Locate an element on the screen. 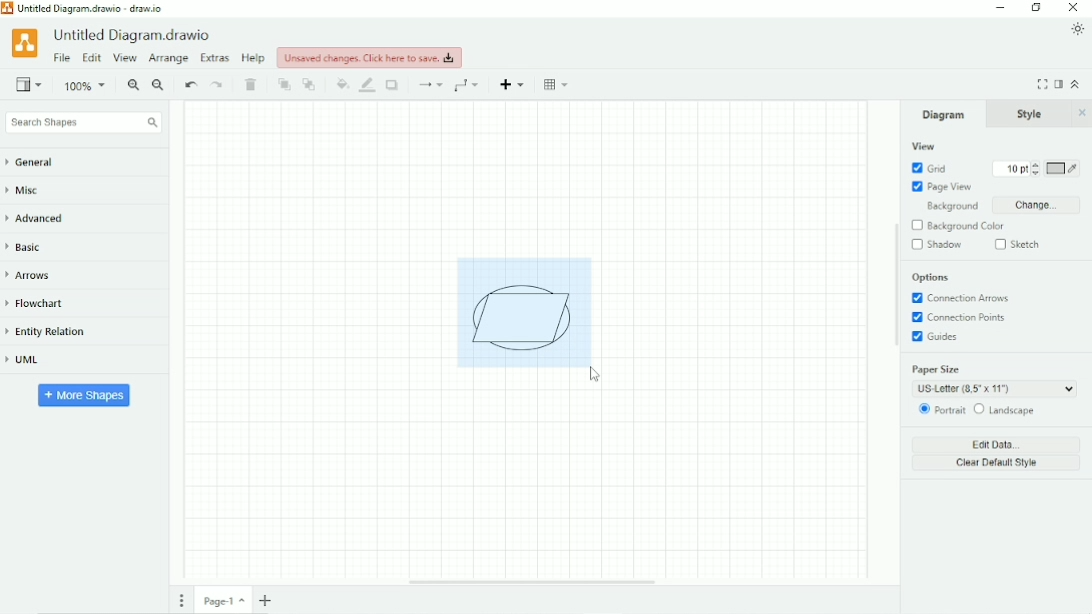 This screenshot has height=614, width=1092. Edit is located at coordinates (91, 59).